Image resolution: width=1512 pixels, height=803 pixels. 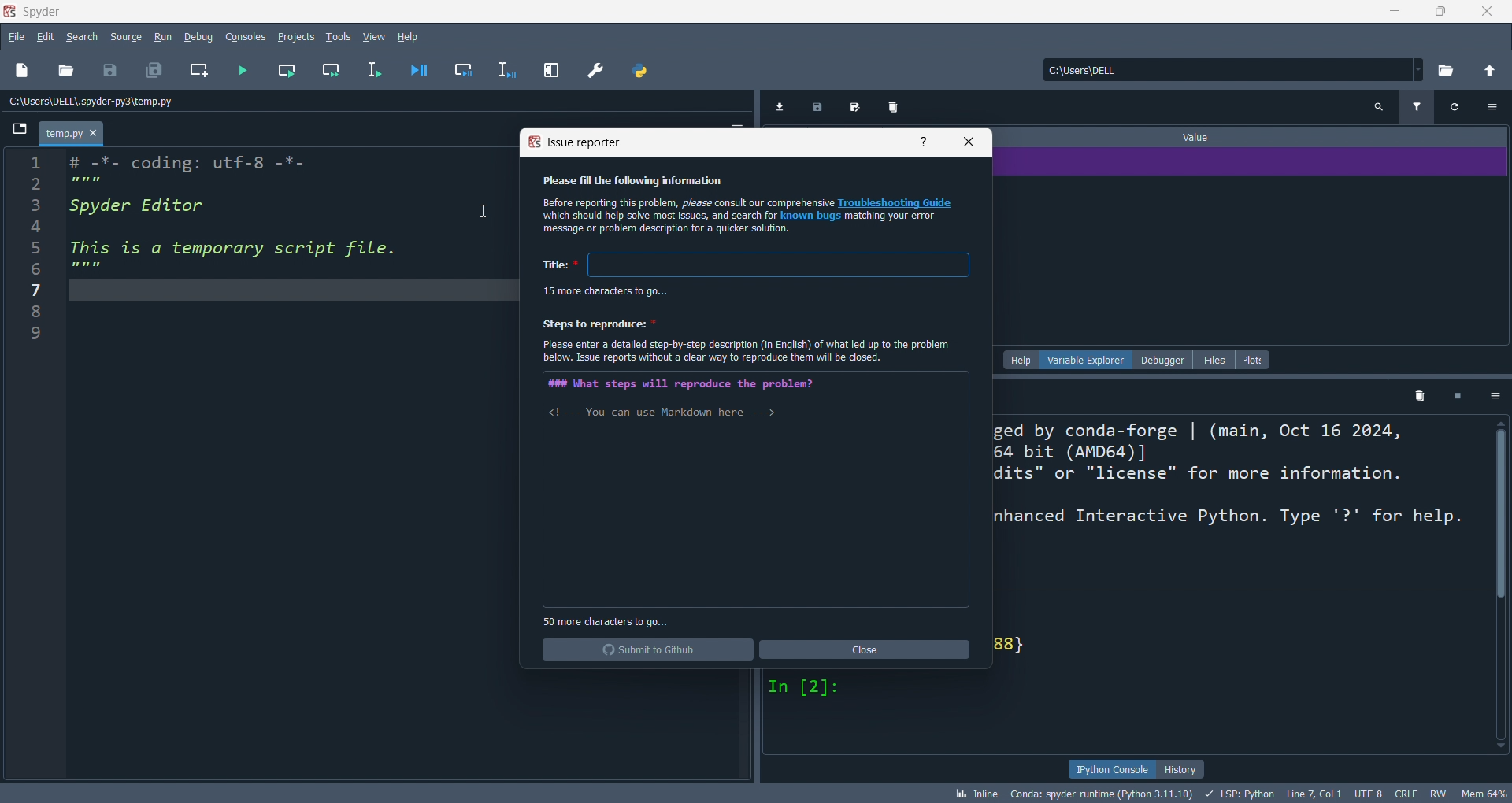 What do you see at coordinates (420, 72) in the screenshot?
I see `debug file` at bounding box center [420, 72].